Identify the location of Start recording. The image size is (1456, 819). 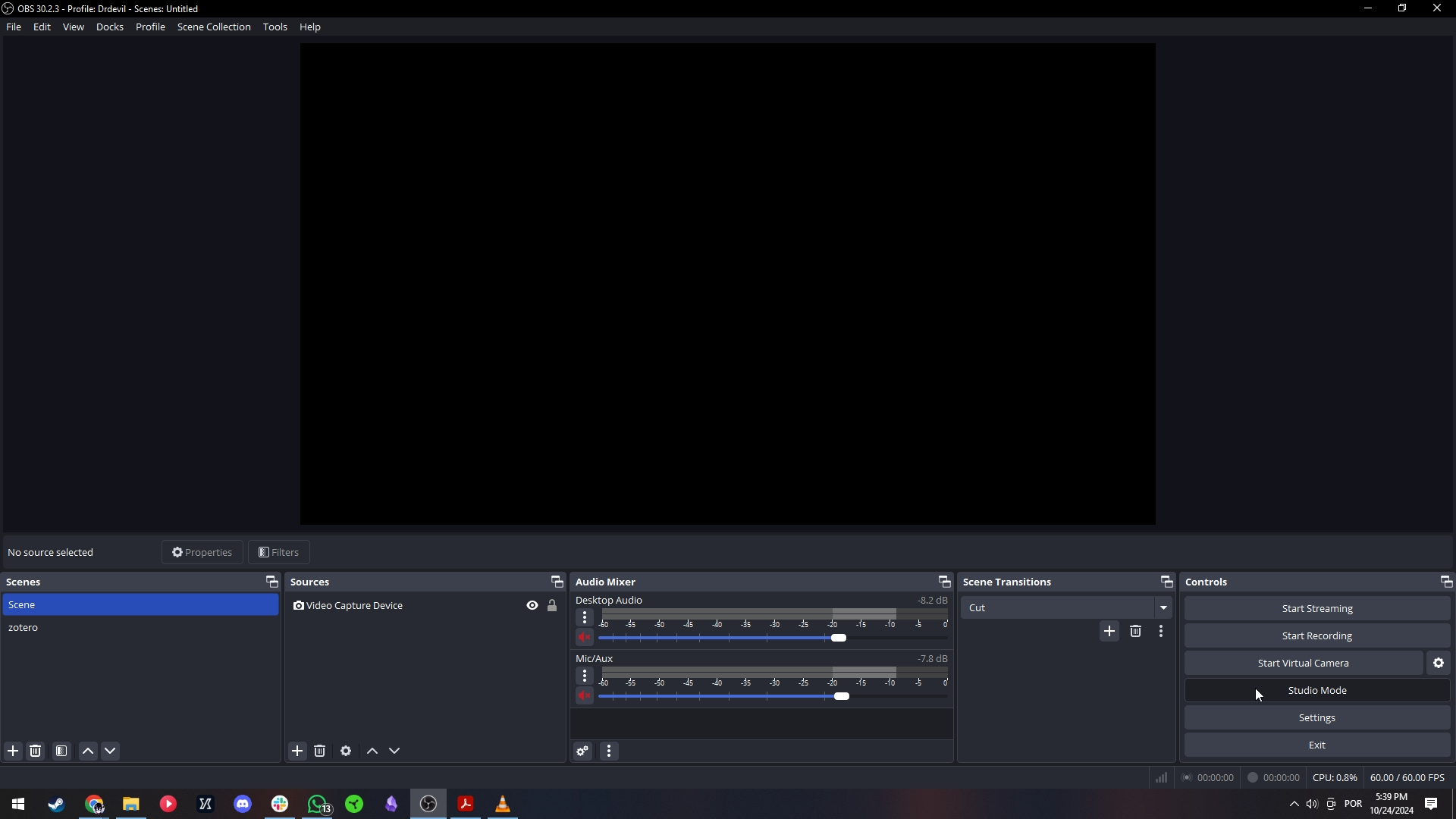
(1319, 635).